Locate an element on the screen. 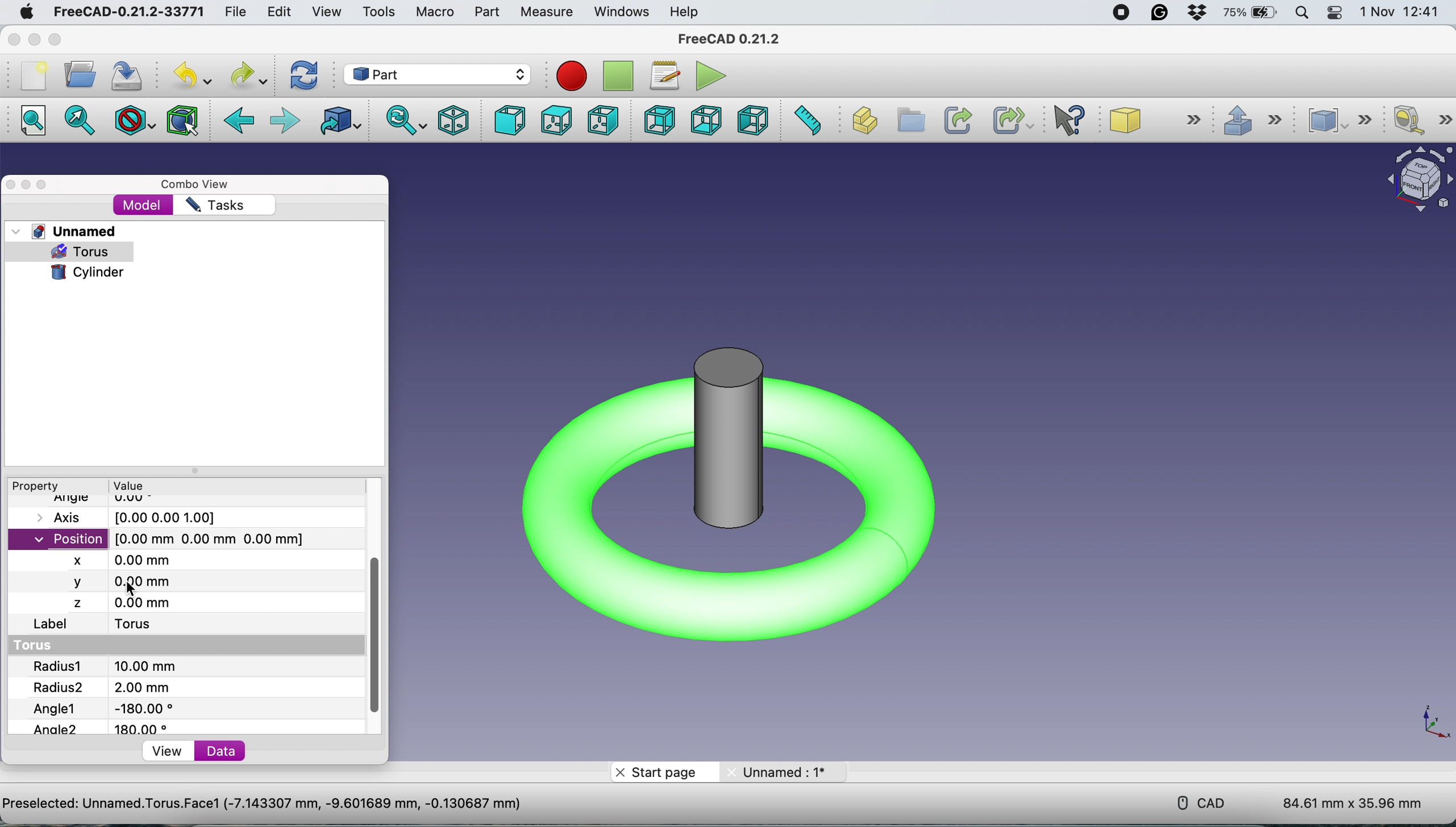 This screenshot has height=827, width=1456. x axis is located at coordinates (133, 559).